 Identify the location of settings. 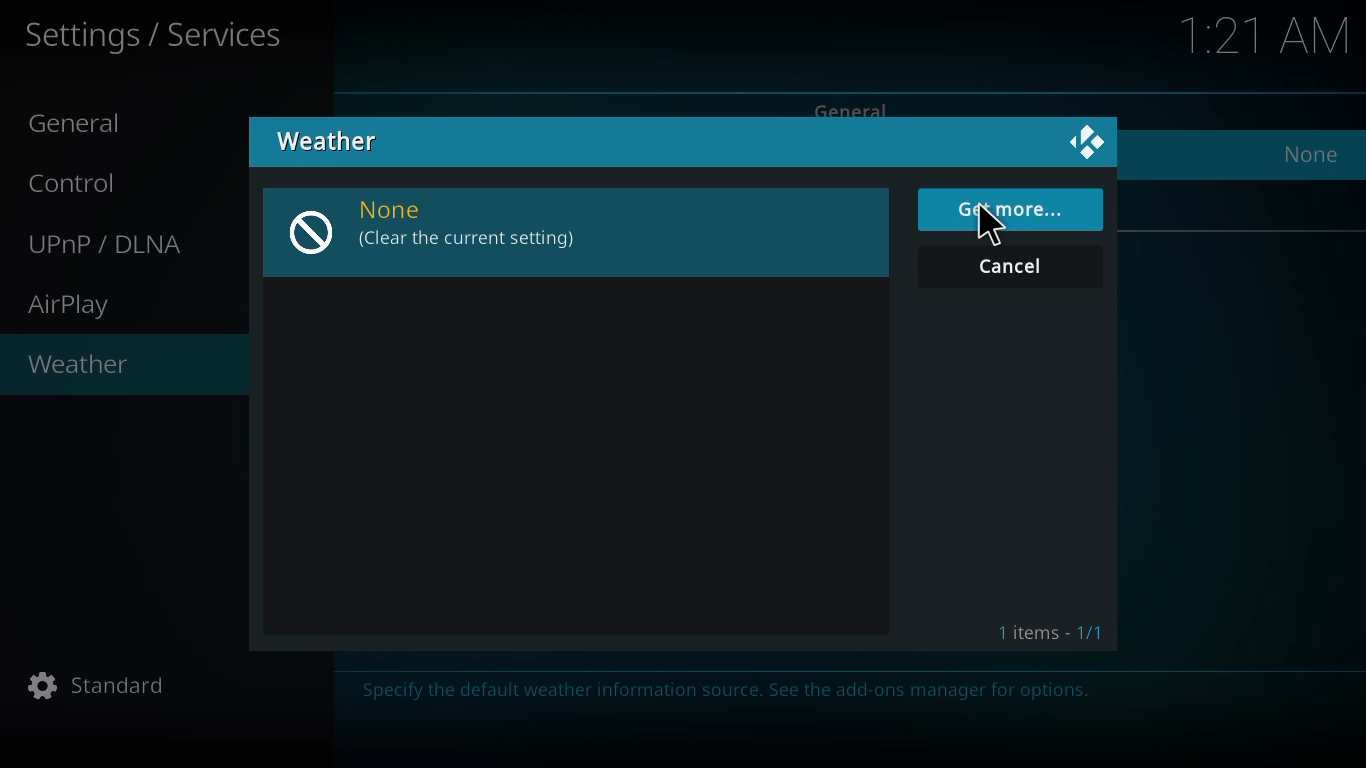
(156, 36).